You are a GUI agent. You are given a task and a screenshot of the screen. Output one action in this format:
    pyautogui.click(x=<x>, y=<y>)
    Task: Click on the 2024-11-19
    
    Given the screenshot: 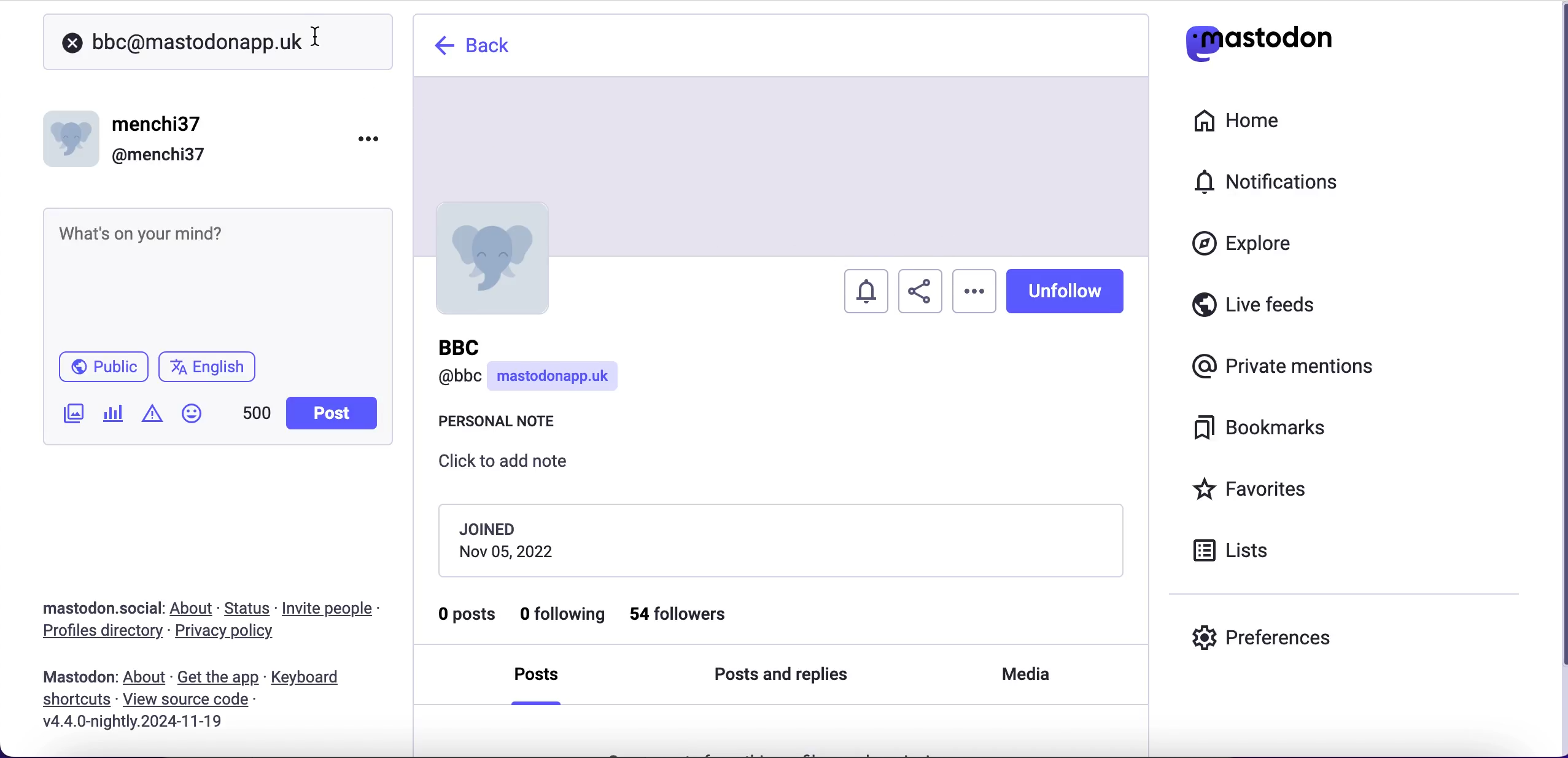 What is the action you would take?
    pyautogui.click(x=142, y=721)
    